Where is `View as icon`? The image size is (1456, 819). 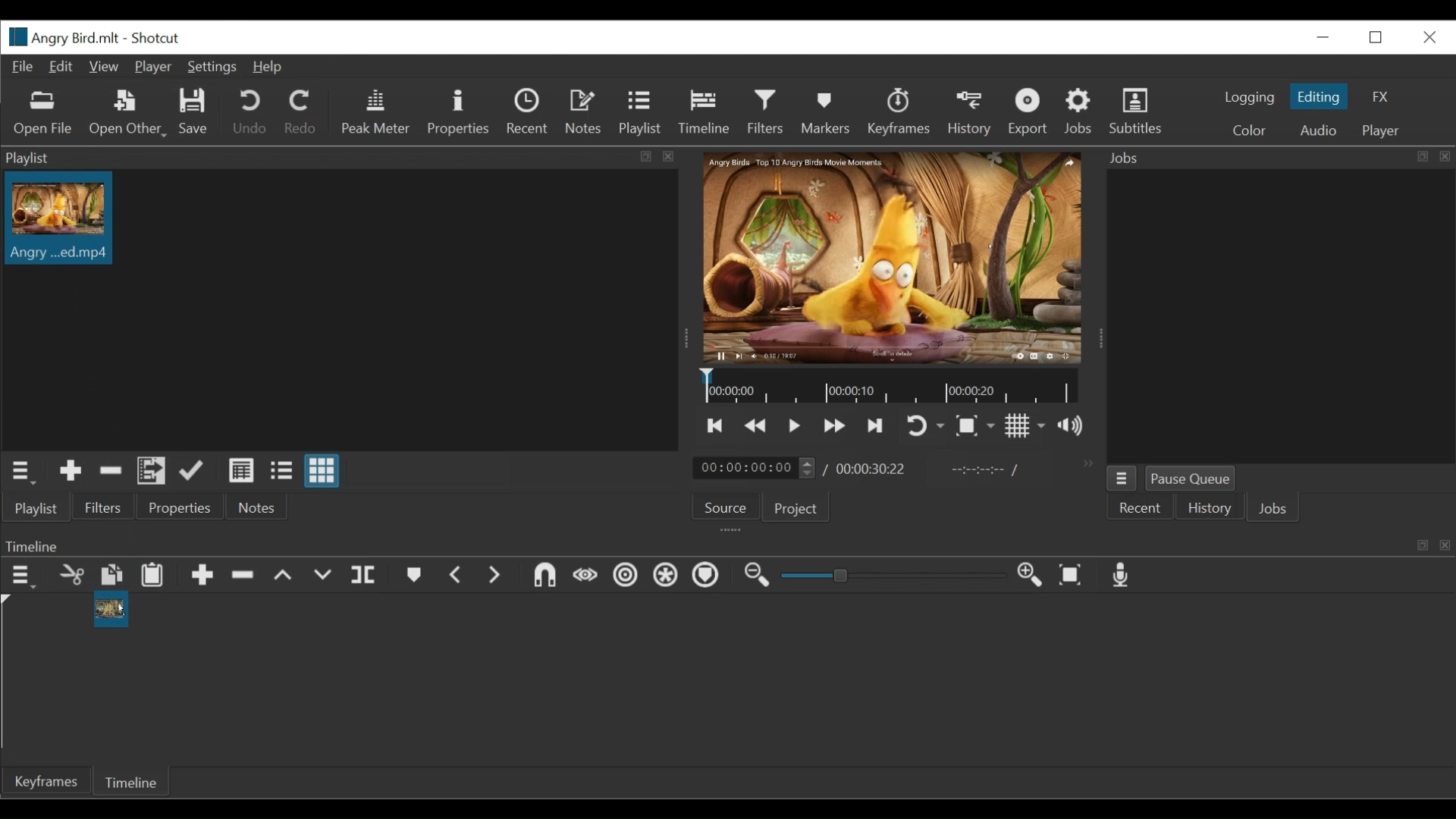 View as icon is located at coordinates (324, 470).